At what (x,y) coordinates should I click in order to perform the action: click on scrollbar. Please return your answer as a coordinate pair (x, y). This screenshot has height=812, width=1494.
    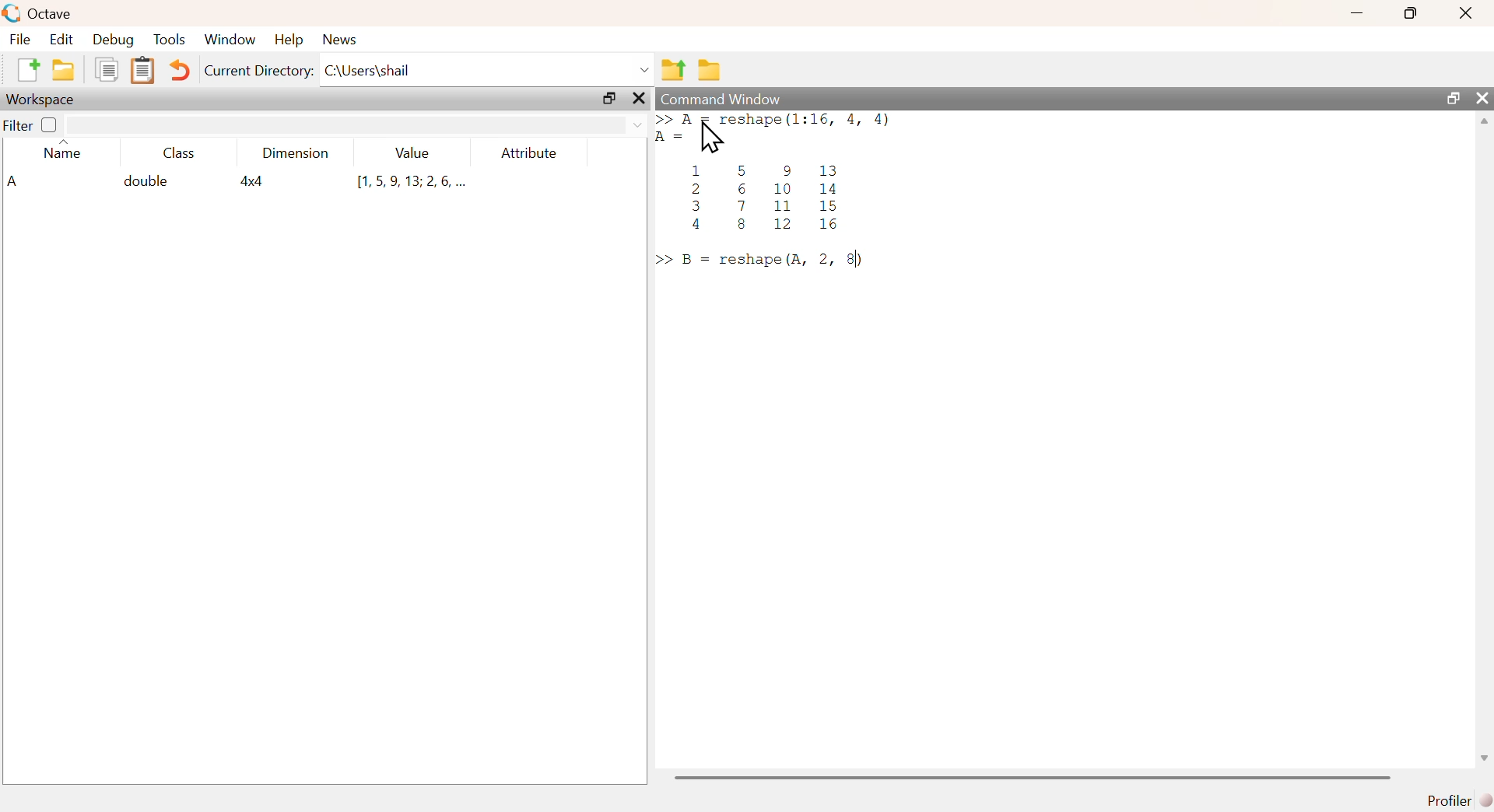
    Looking at the image, I should click on (1485, 446).